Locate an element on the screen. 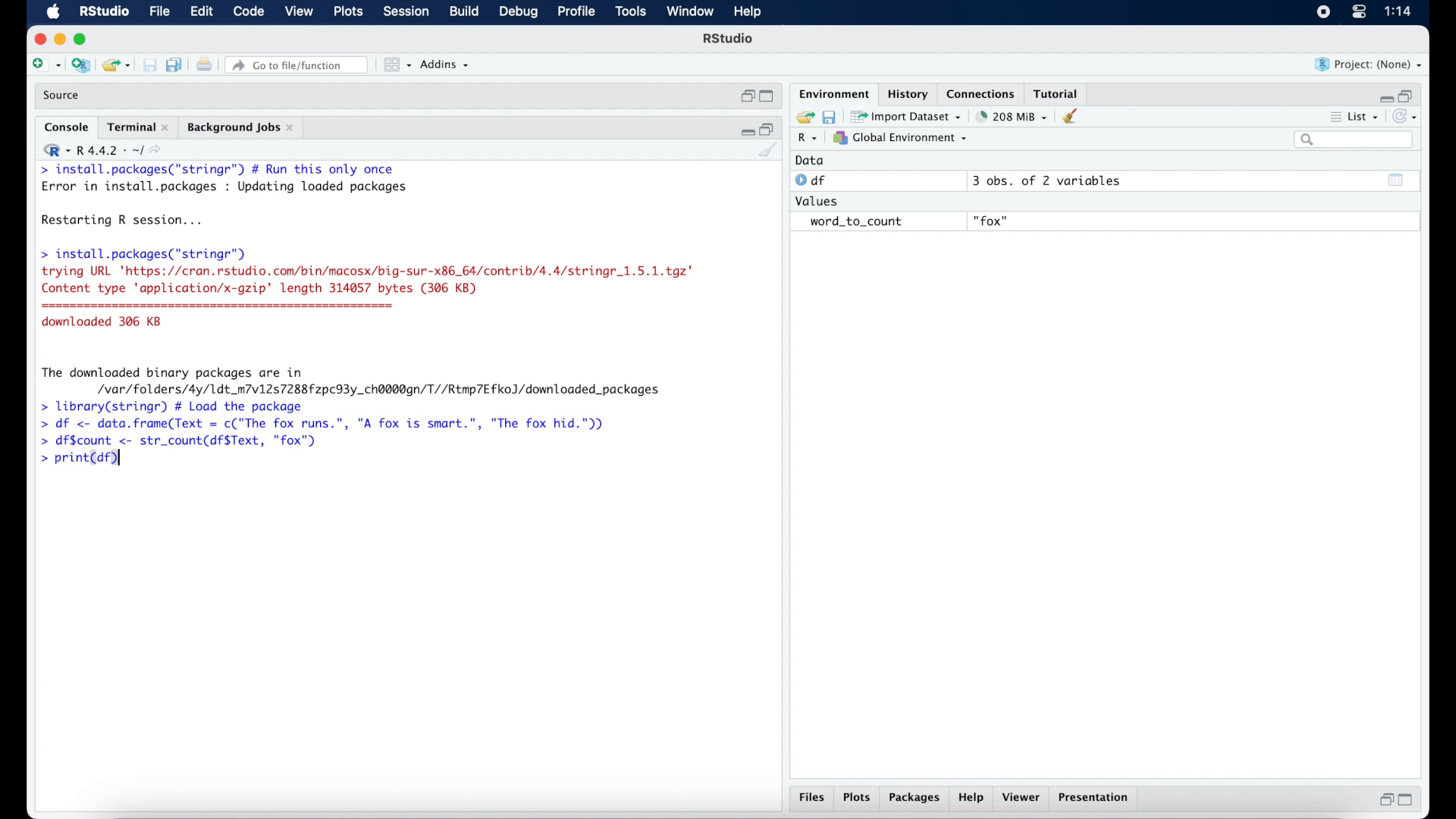 This screenshot has width=1456, height=819. import dataset is located at coordinates (906, 117).